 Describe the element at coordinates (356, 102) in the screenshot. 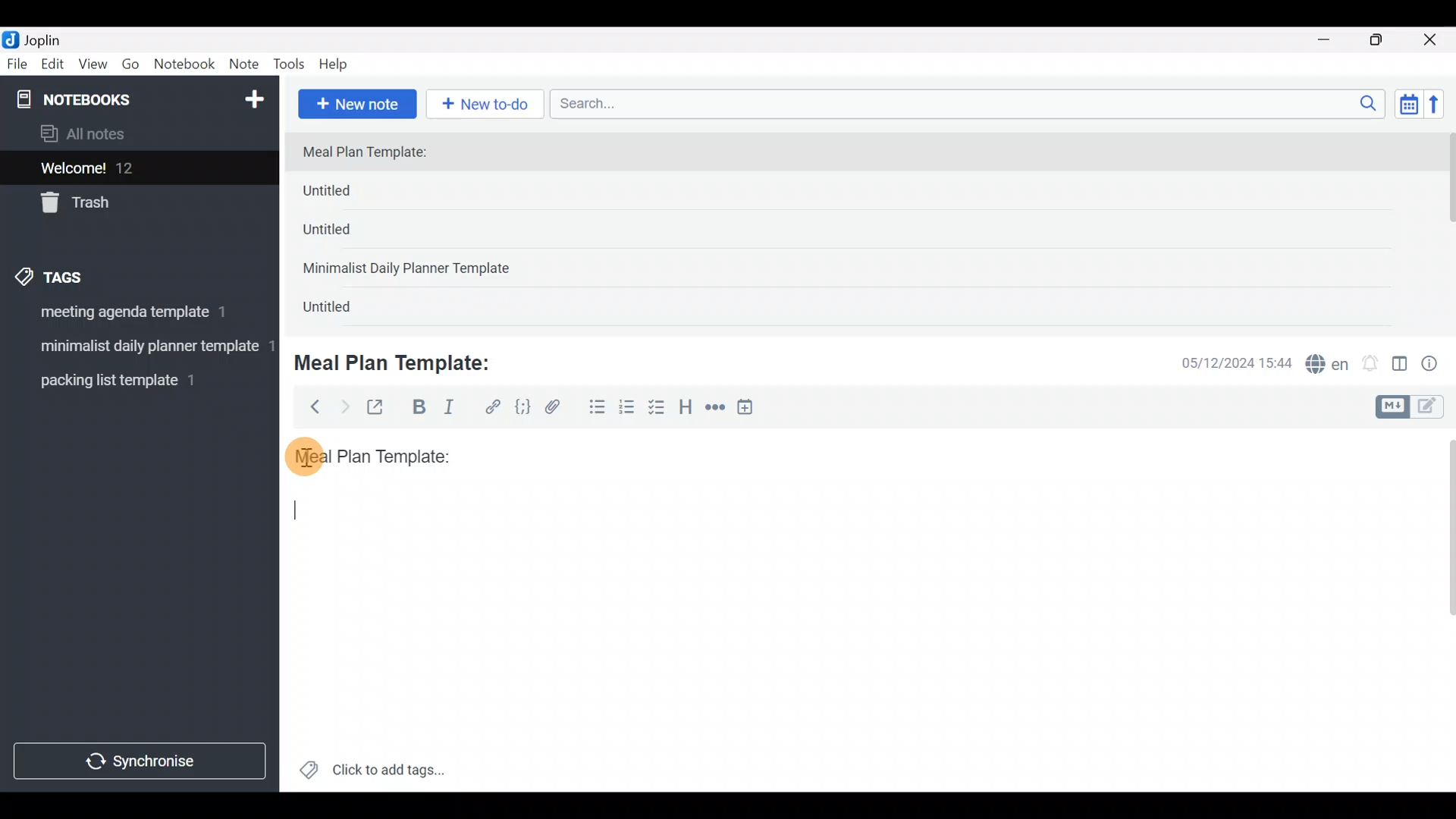

I see `New note` at that location.